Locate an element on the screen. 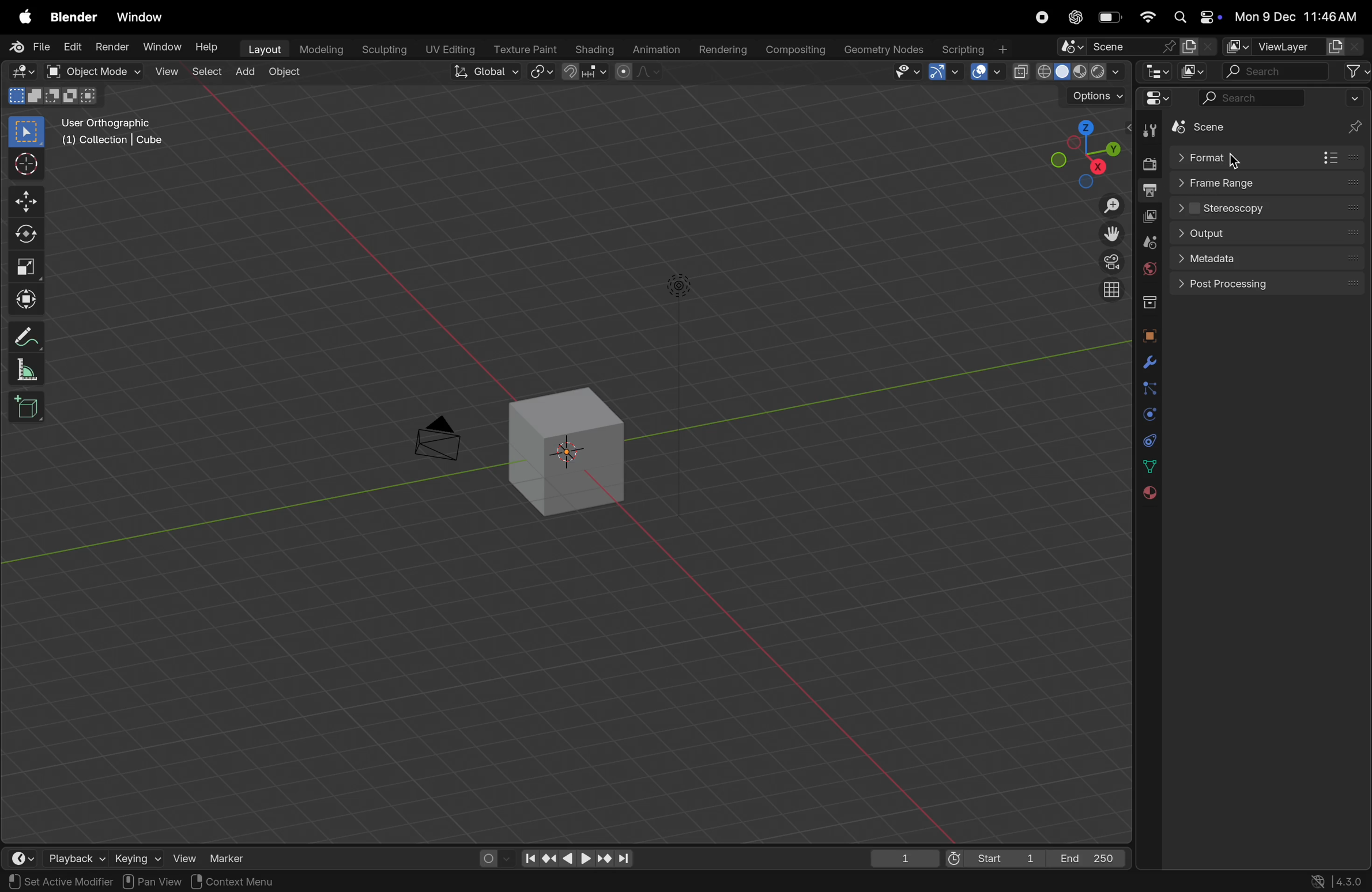 This screenshot has width=1372, height=892. scene is located at coordinates (1222, 126).